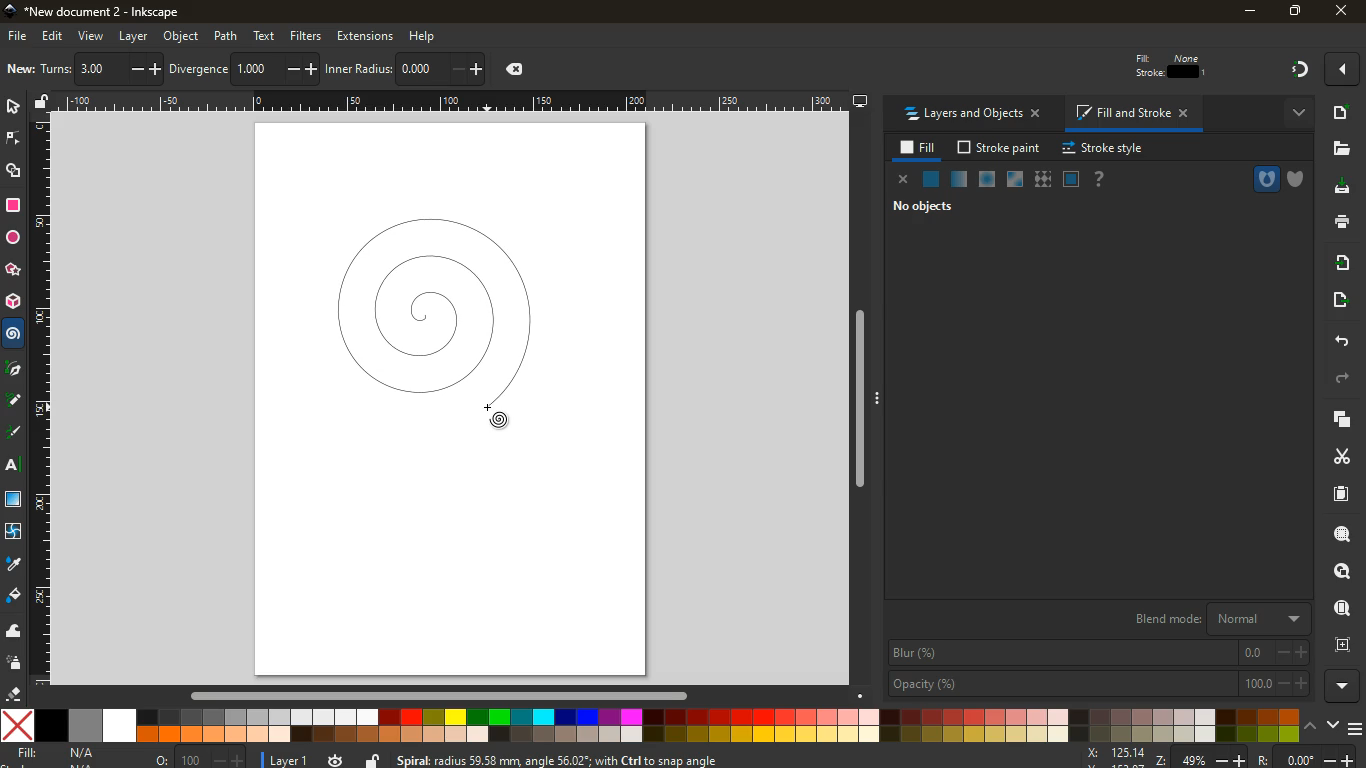  Describe the element at coordinates (1299, 179) in the screenshot. I see `shield` at that location.